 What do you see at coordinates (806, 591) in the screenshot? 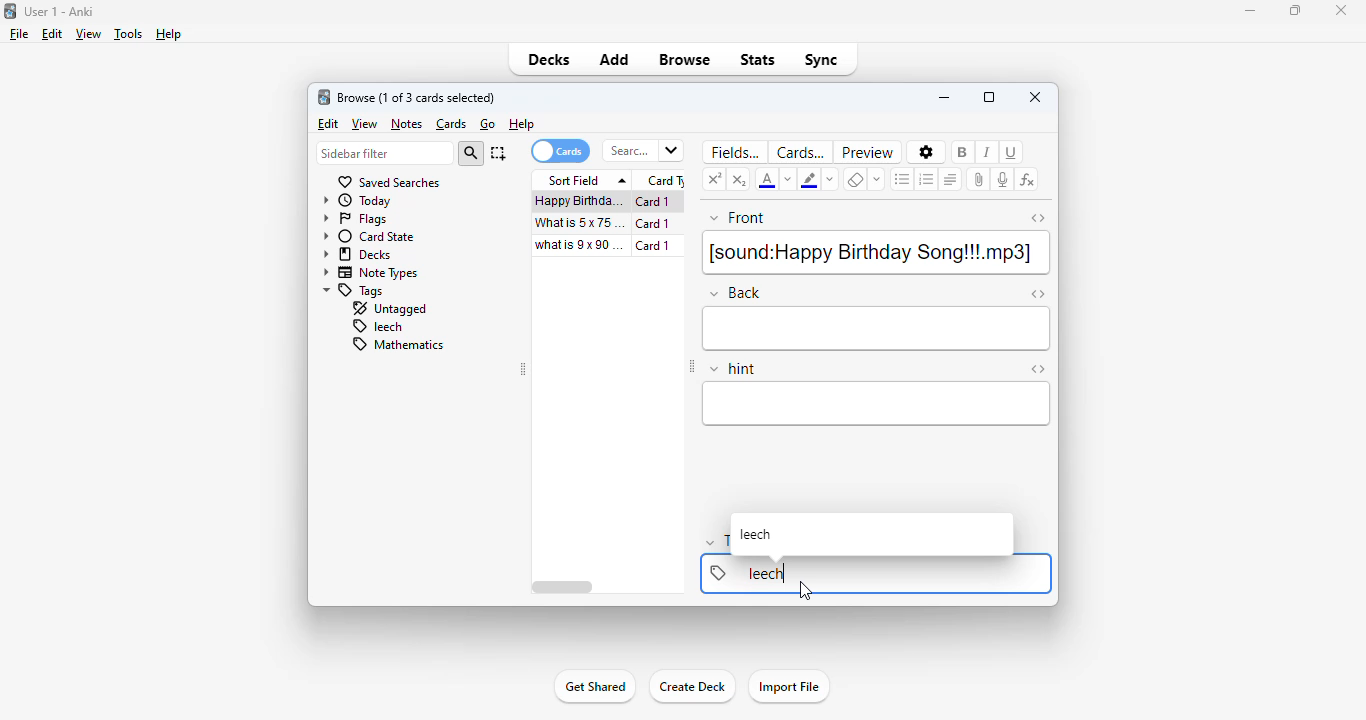
I see `cursor` at bounding box center [806, 591].